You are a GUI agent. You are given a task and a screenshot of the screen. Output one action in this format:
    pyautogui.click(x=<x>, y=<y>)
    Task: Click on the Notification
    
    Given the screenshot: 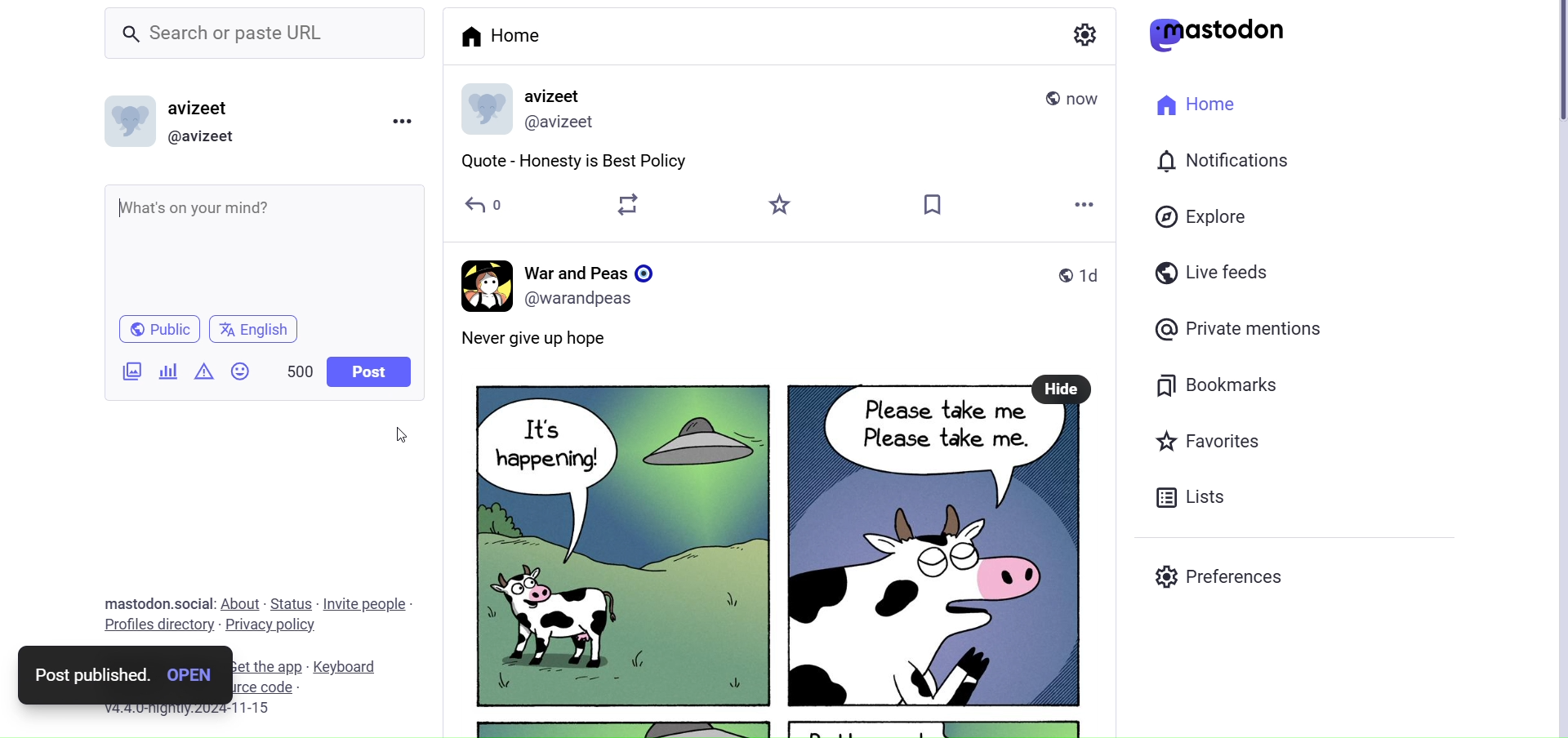 What is the action you would take?
    pyautogui.click(x=1225, y=158)
    